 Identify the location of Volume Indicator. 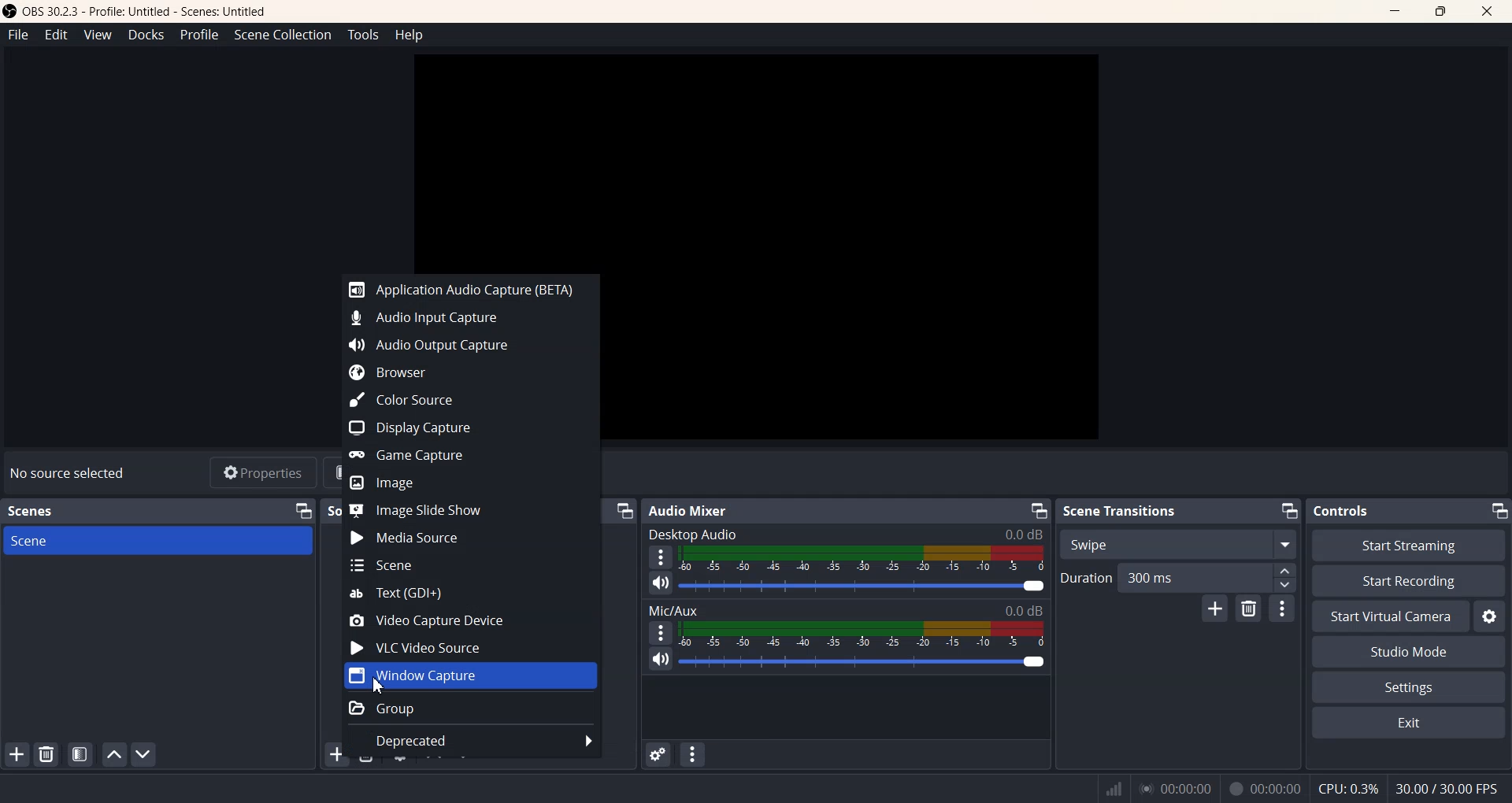
(864, 558).